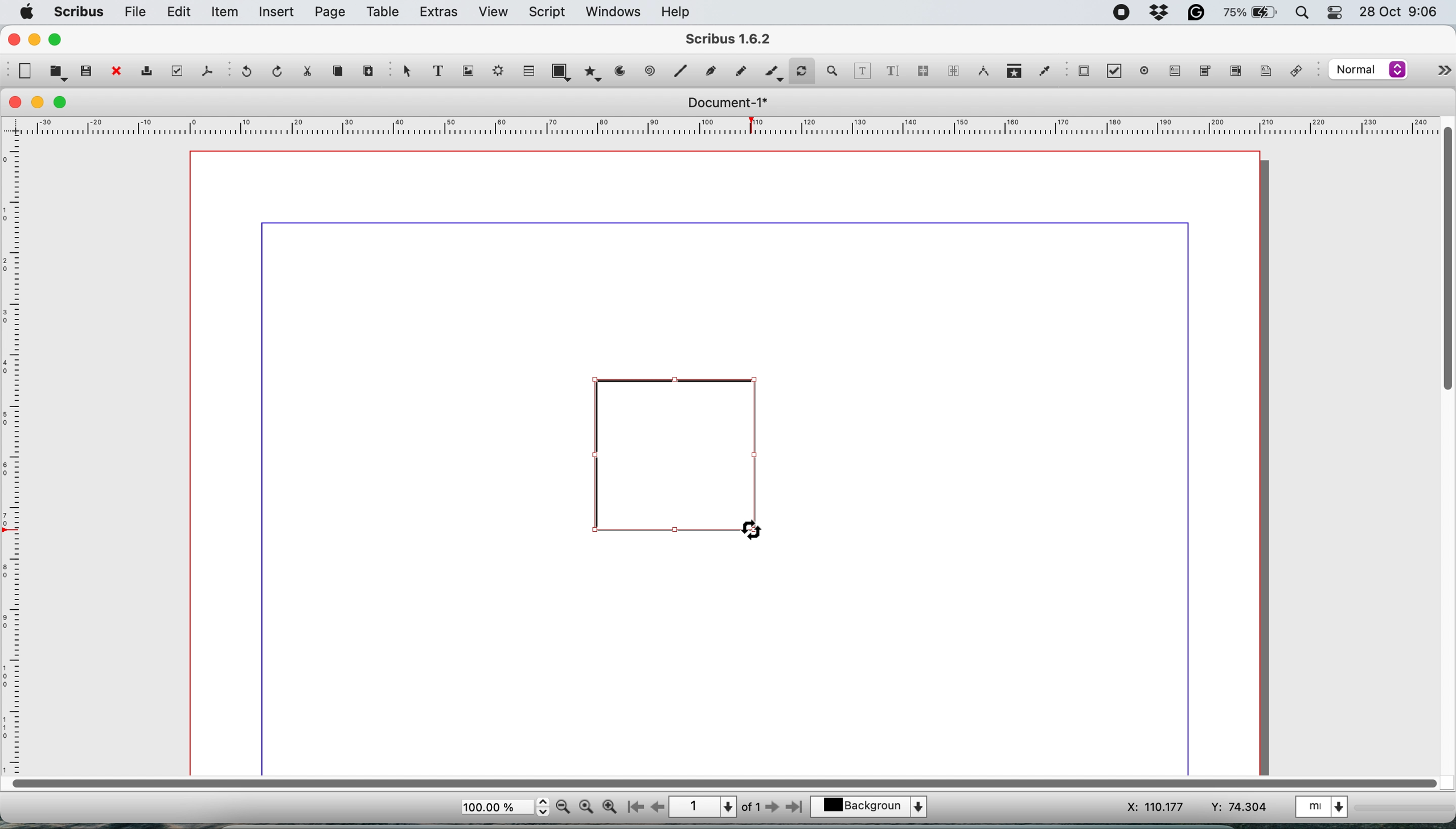 The image size is (1456, 829). I want to click on save, so click(86, 71).